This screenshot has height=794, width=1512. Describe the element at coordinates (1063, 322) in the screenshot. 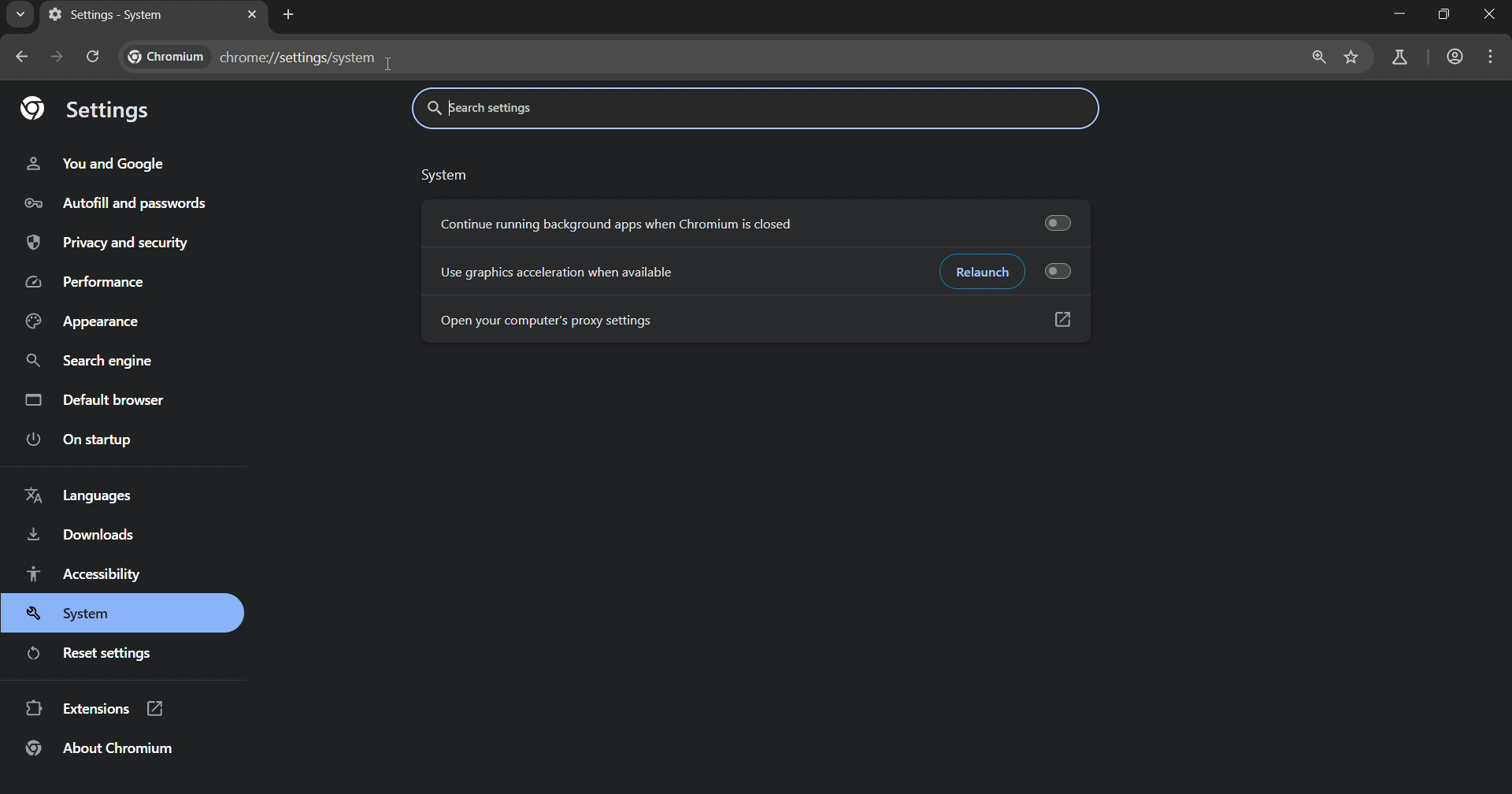

I see `Open in new tab` at that location.